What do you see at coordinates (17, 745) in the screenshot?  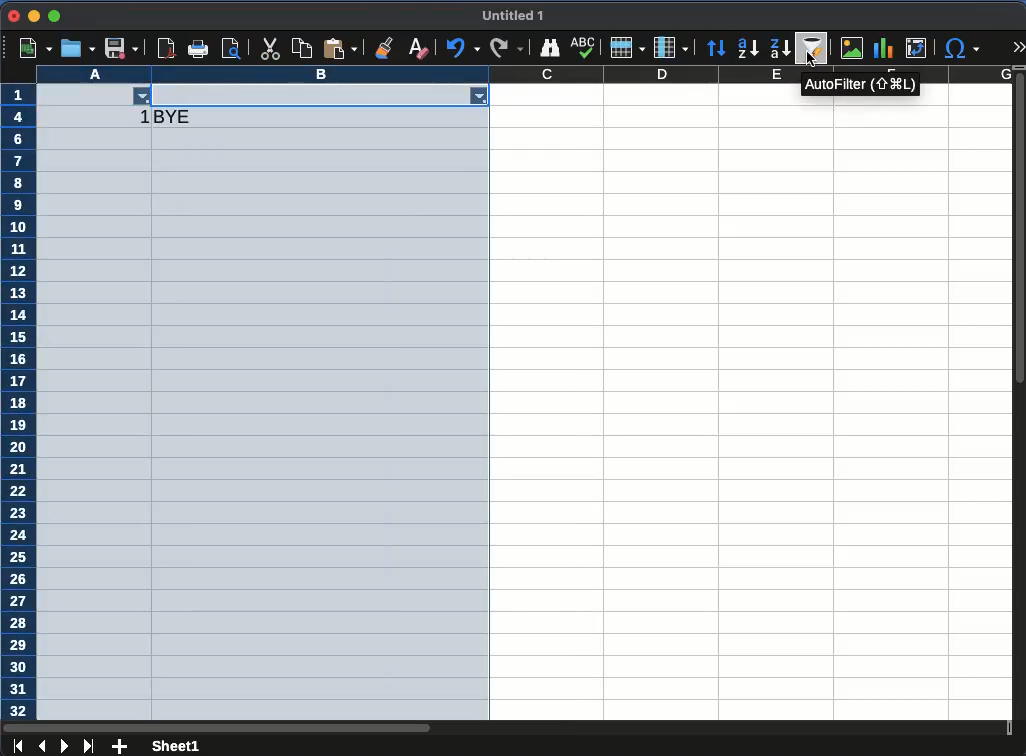 I see `first sheet` at bounding box center [17, 745].